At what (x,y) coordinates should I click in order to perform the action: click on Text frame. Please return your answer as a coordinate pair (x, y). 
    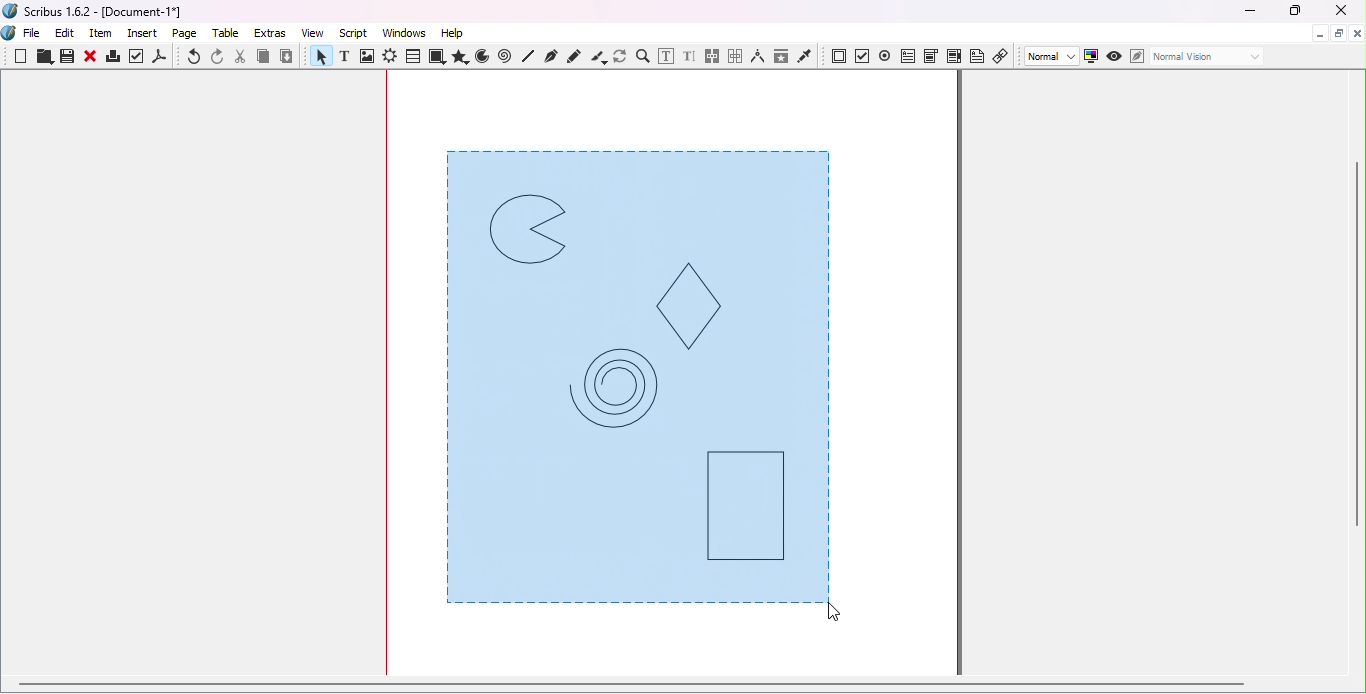
    Looking at the image, I should click on (348, 58).